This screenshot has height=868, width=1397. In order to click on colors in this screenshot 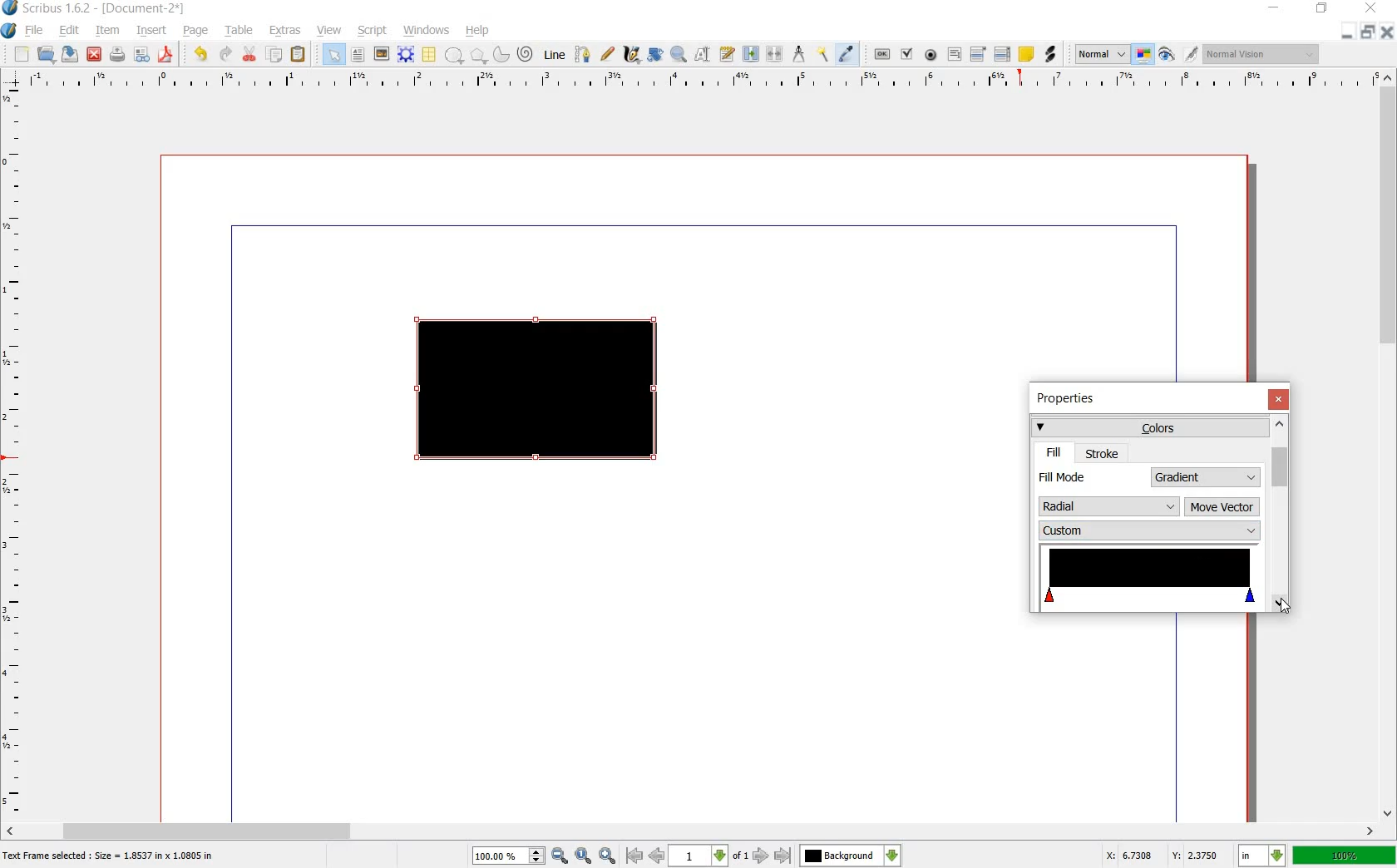, I will do `click(1148, 427)`.